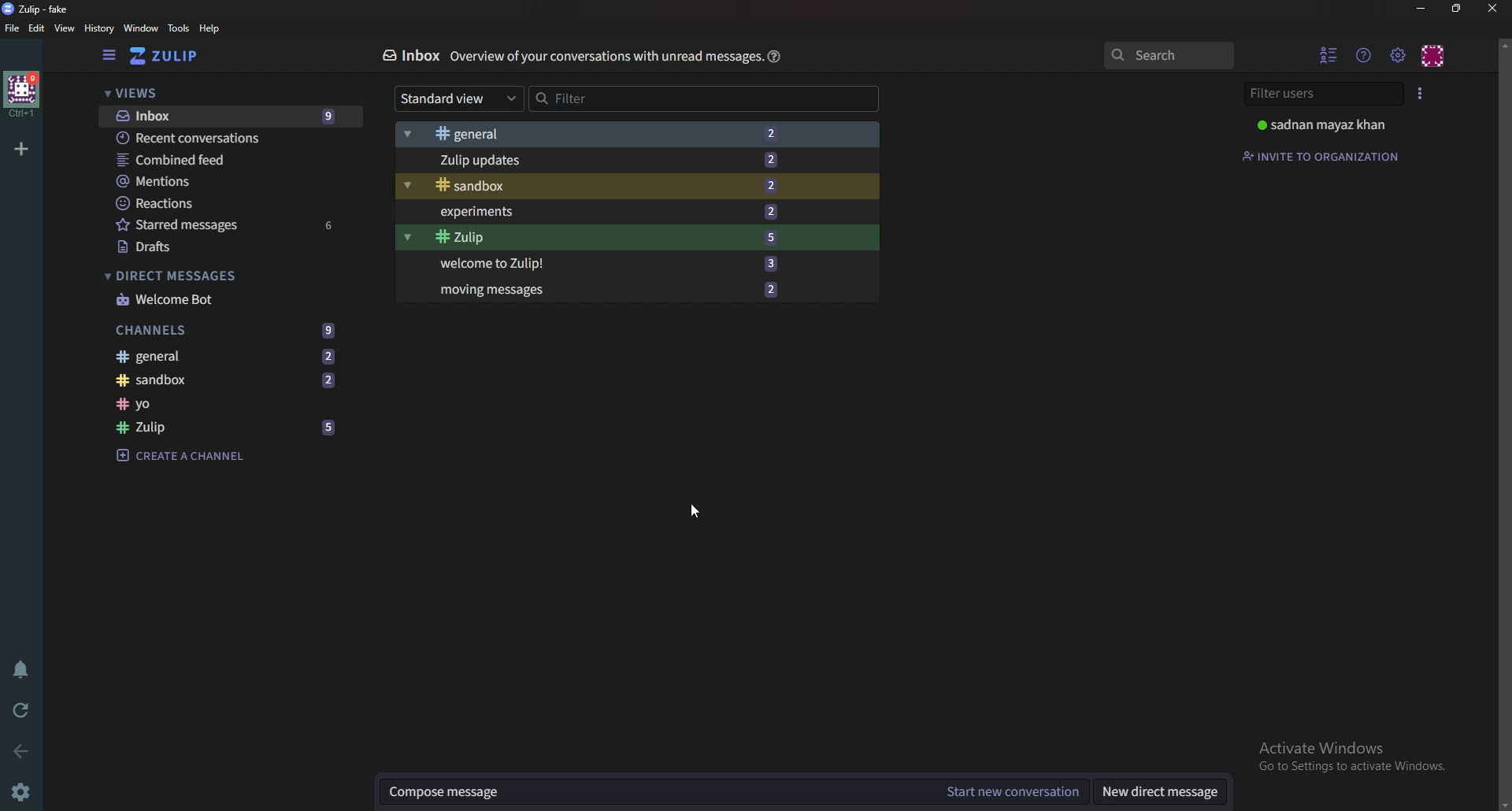 Image resolution: width=1512 pixels, height=811 pixels. I want to click on Hide user list, so click(1328, 54).